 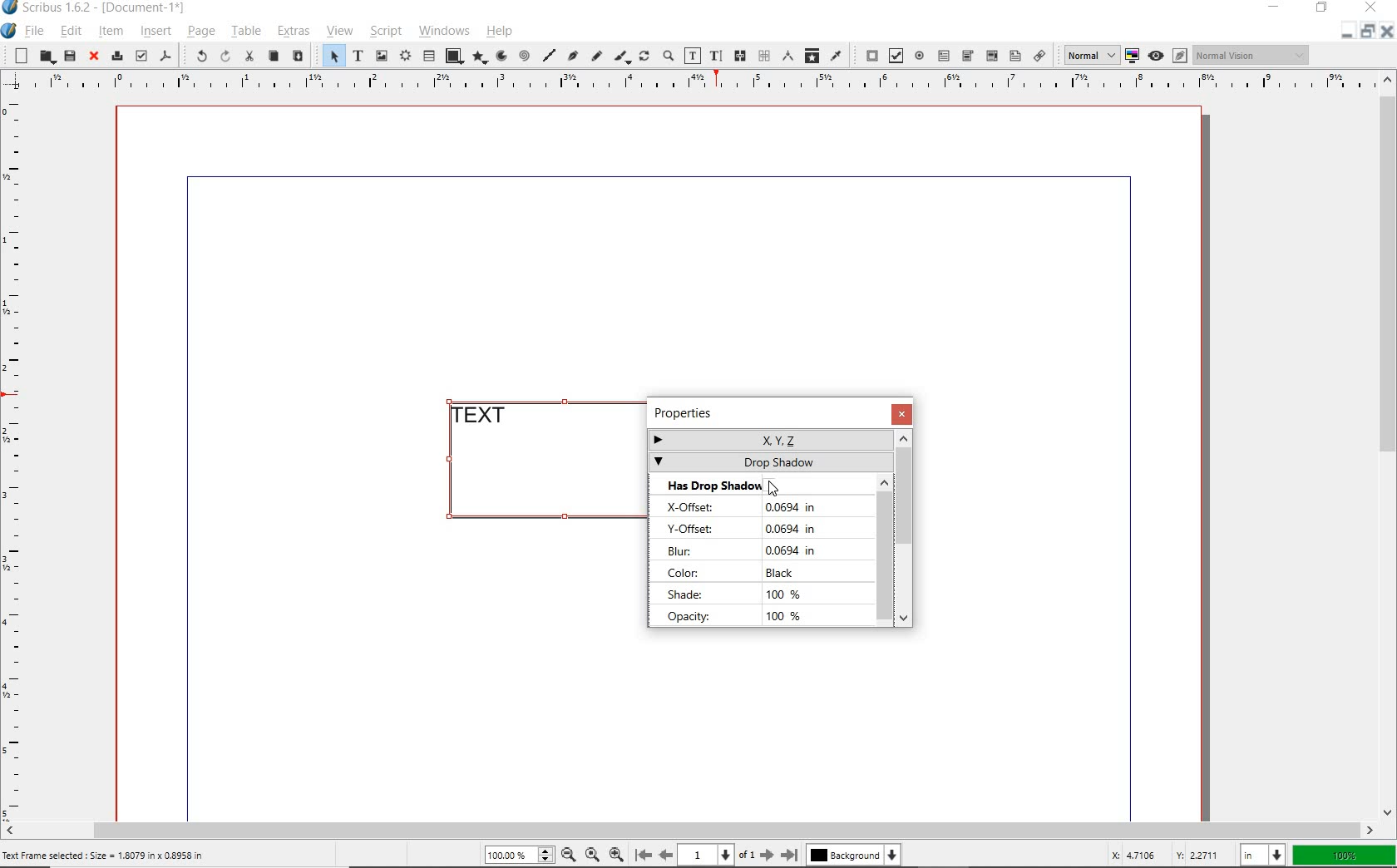 What do you see at coordinates (295, 32) in the screenshot?
I see `extras` at bounding box center [295, 32].